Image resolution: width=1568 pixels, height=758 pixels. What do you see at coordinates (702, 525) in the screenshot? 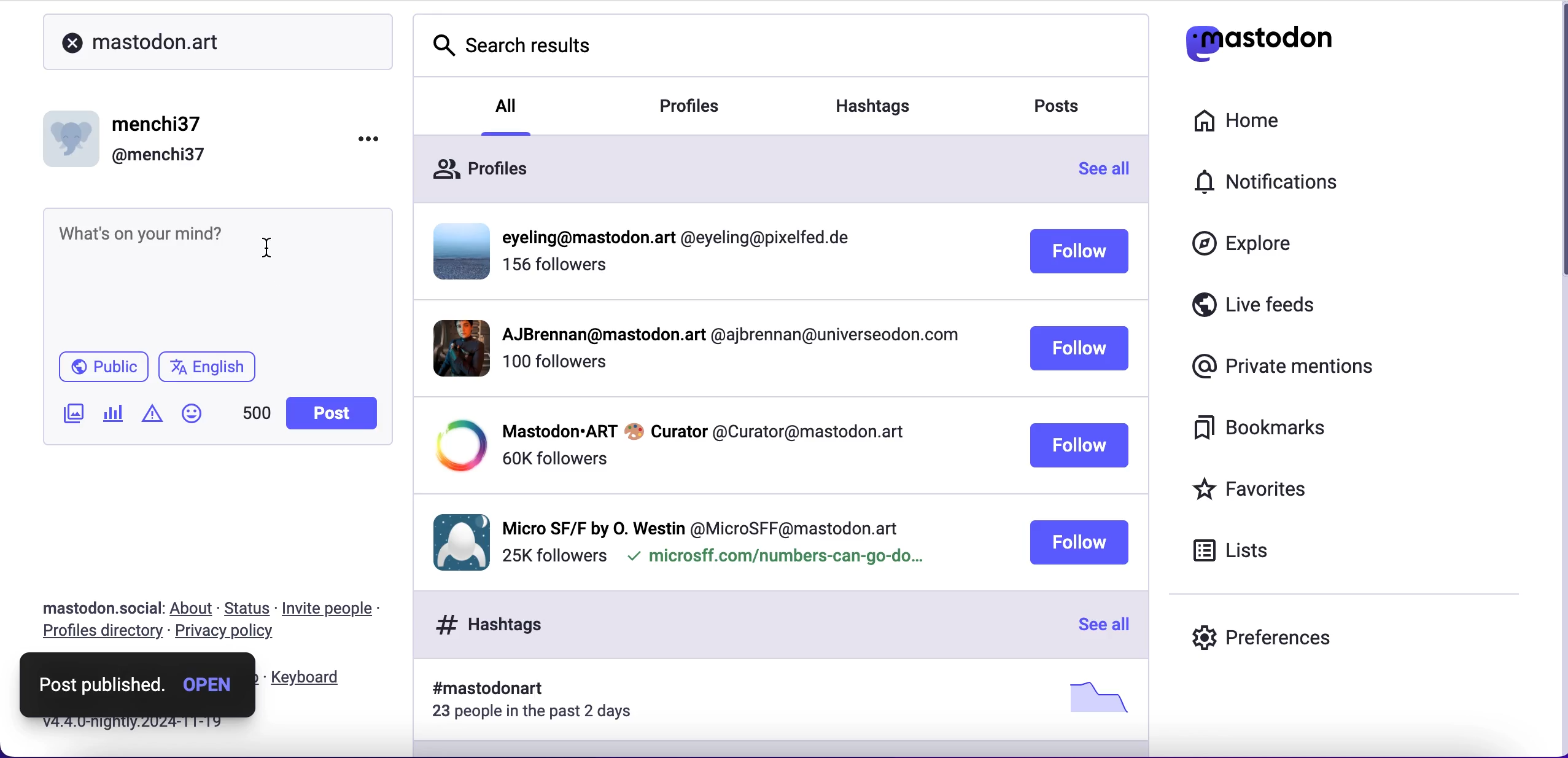
I see `profile` at bounding box center [702, 525].